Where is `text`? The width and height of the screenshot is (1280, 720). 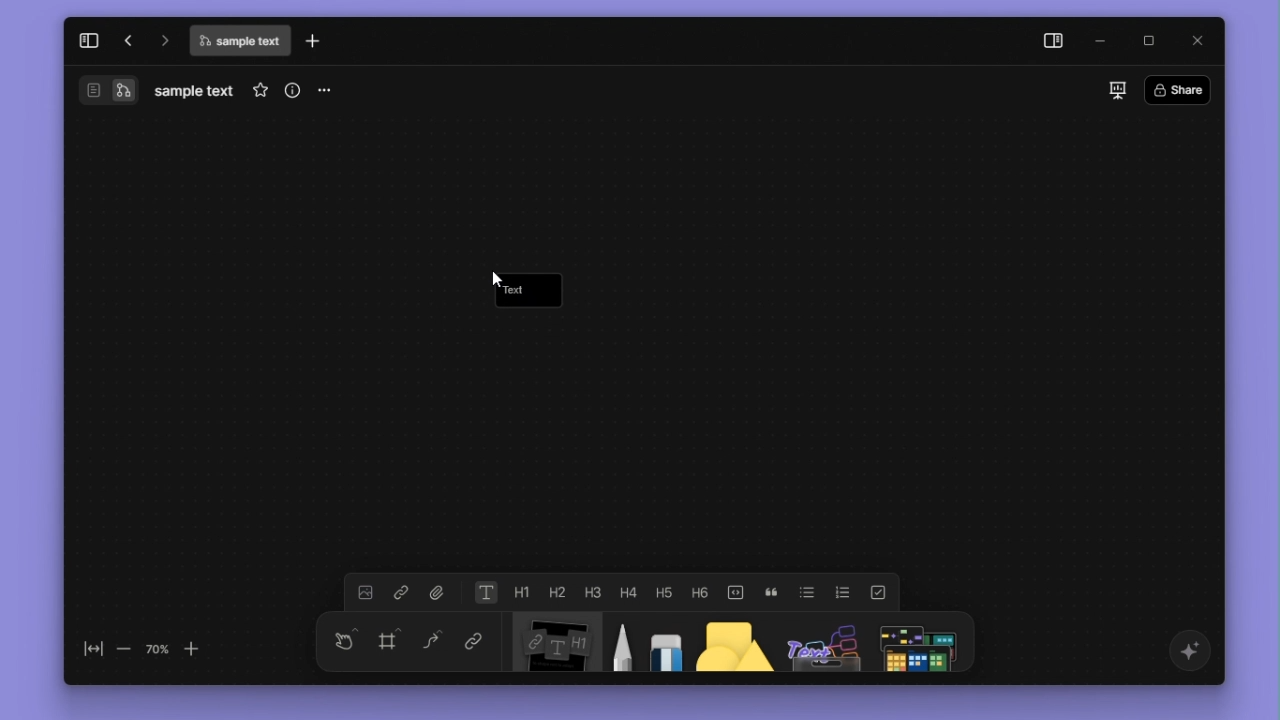
text is located at coordinates (485, 593).